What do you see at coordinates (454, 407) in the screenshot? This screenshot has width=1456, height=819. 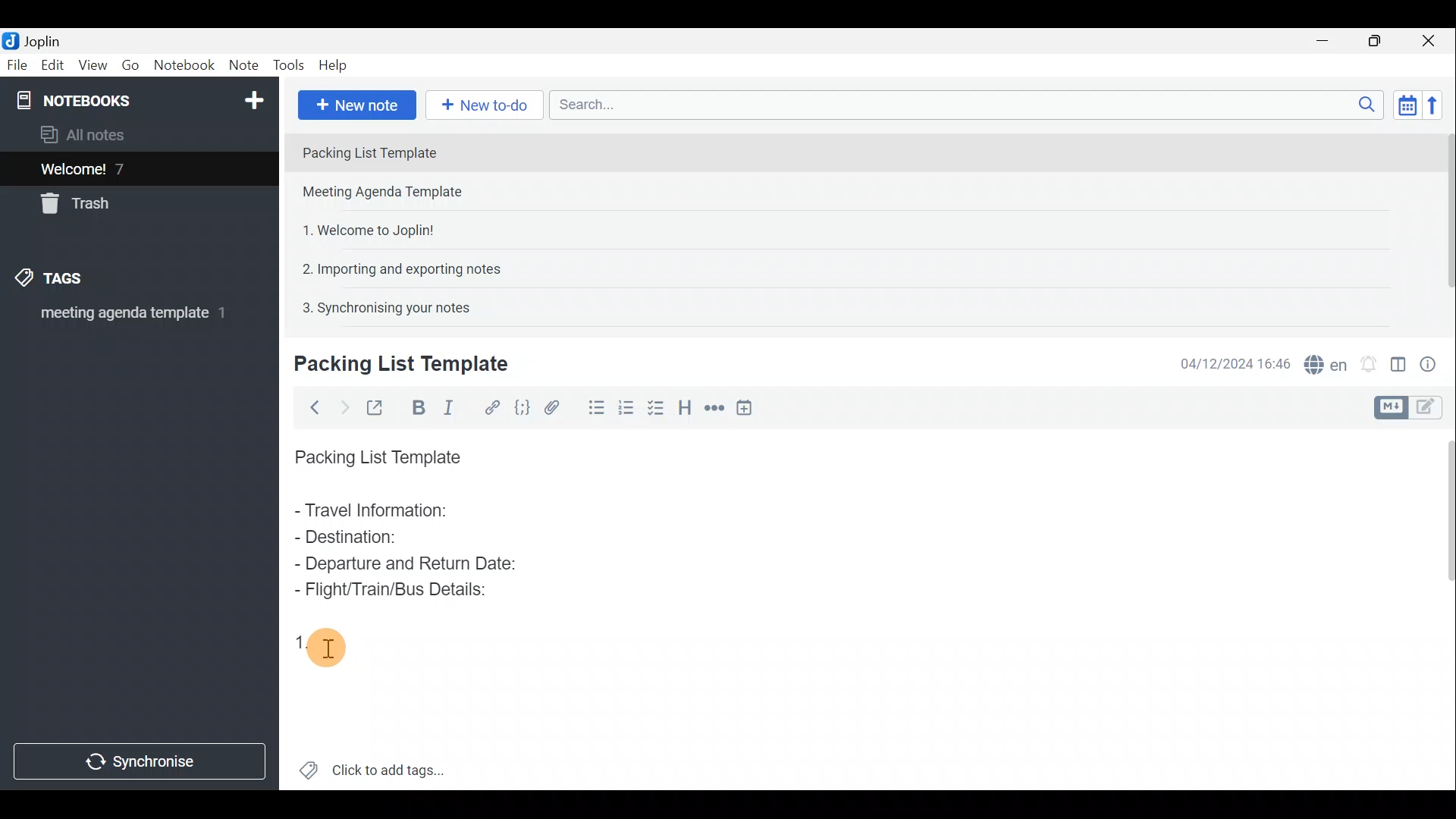 I see `Italic` at bounding box center [454, 407].